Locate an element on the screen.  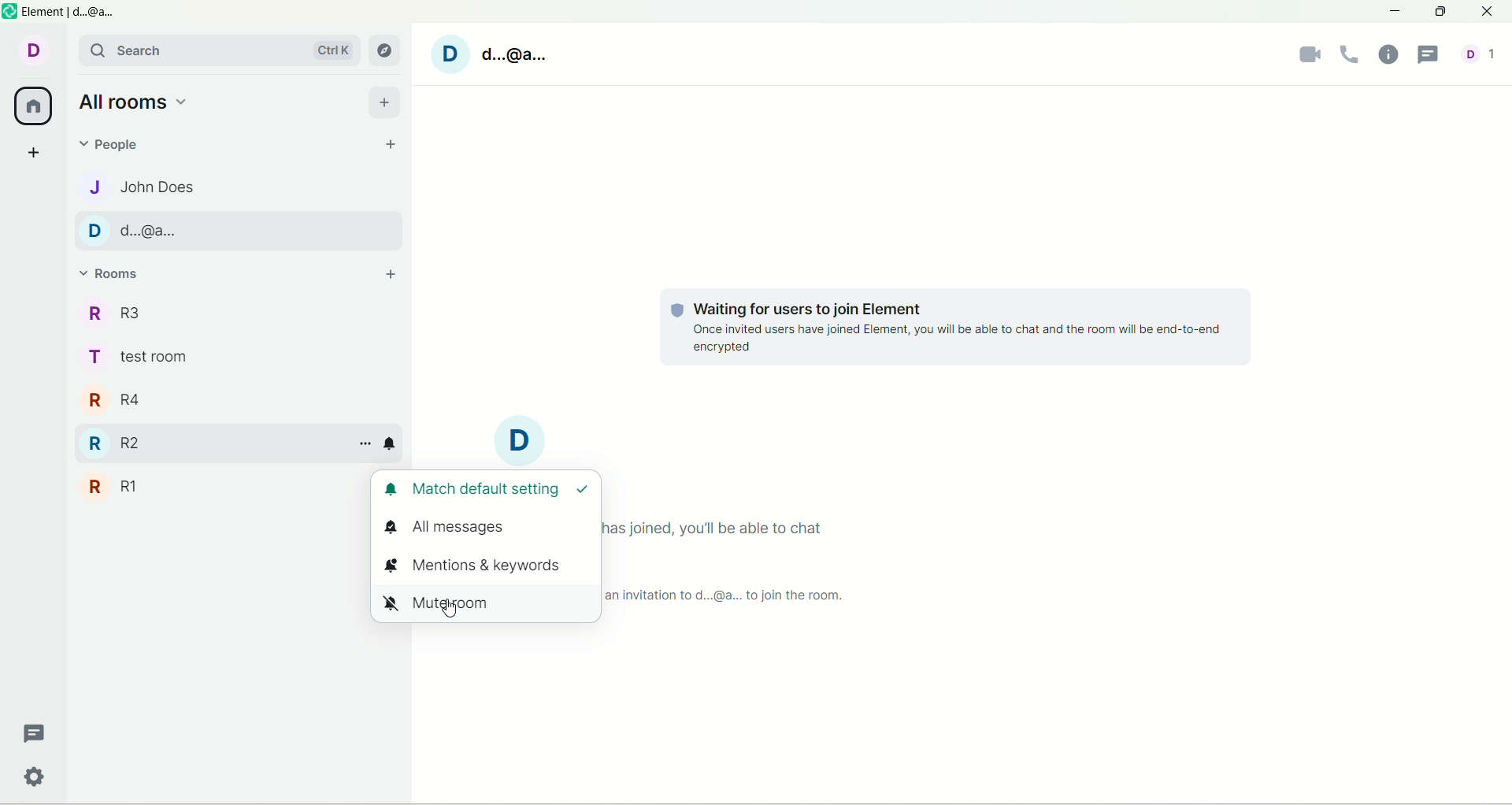
add is located at coordinates (385, 100).